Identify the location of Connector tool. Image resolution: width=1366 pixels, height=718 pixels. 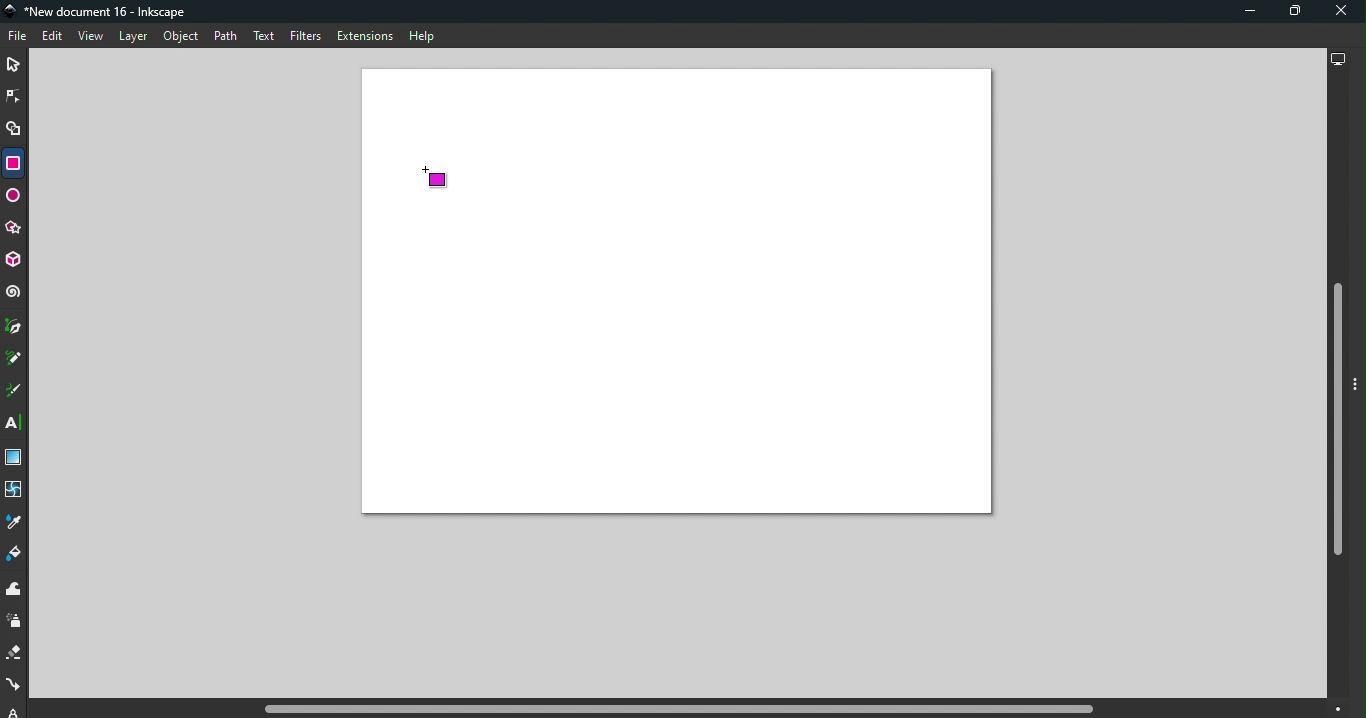
(14, 686).